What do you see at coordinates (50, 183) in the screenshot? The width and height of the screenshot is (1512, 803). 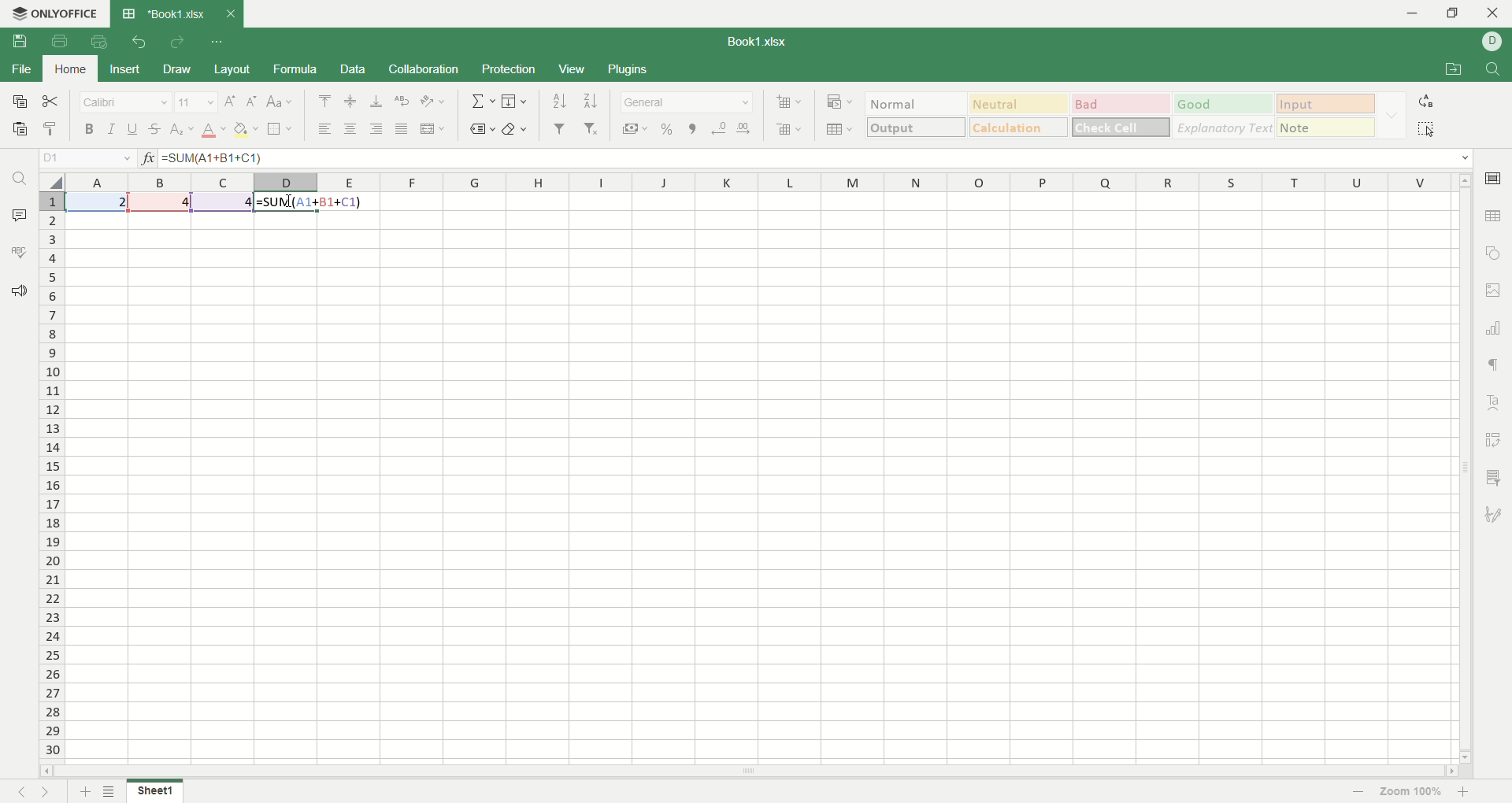 I see `select all` at bounding box center [50, 183].